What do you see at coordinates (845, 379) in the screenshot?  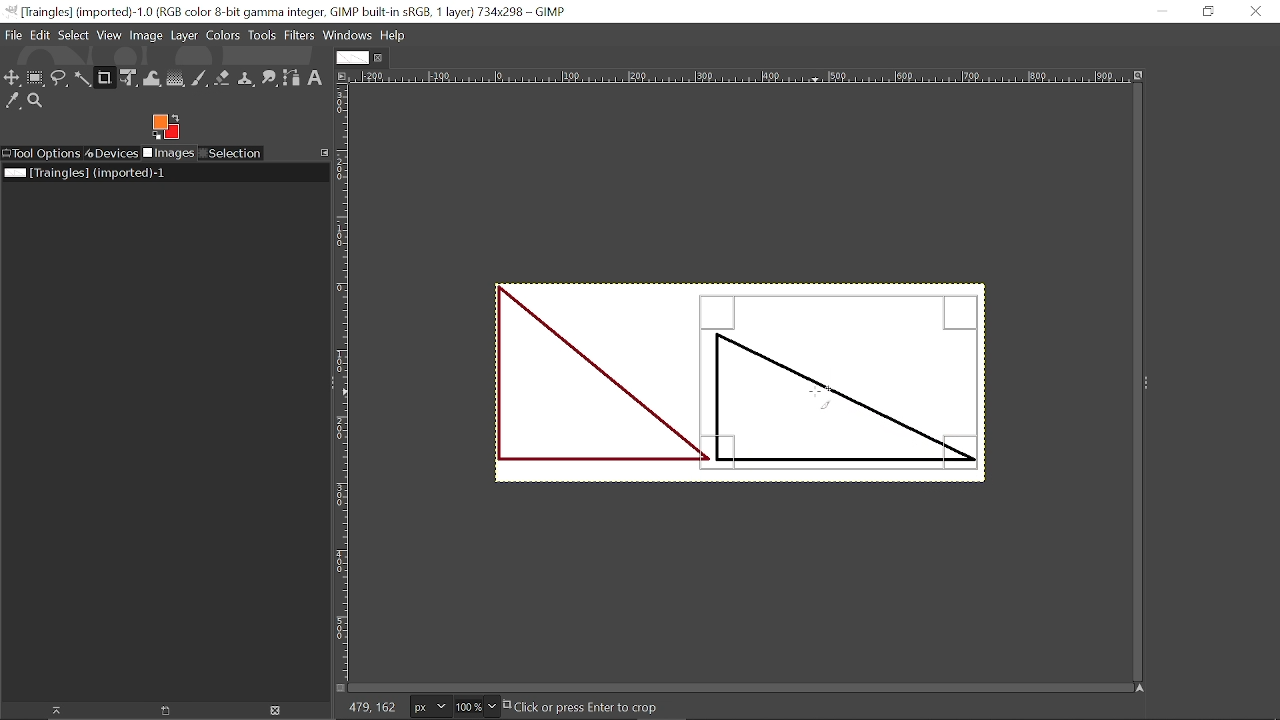 I see `Cropped image` at bounding box center [845, 379].